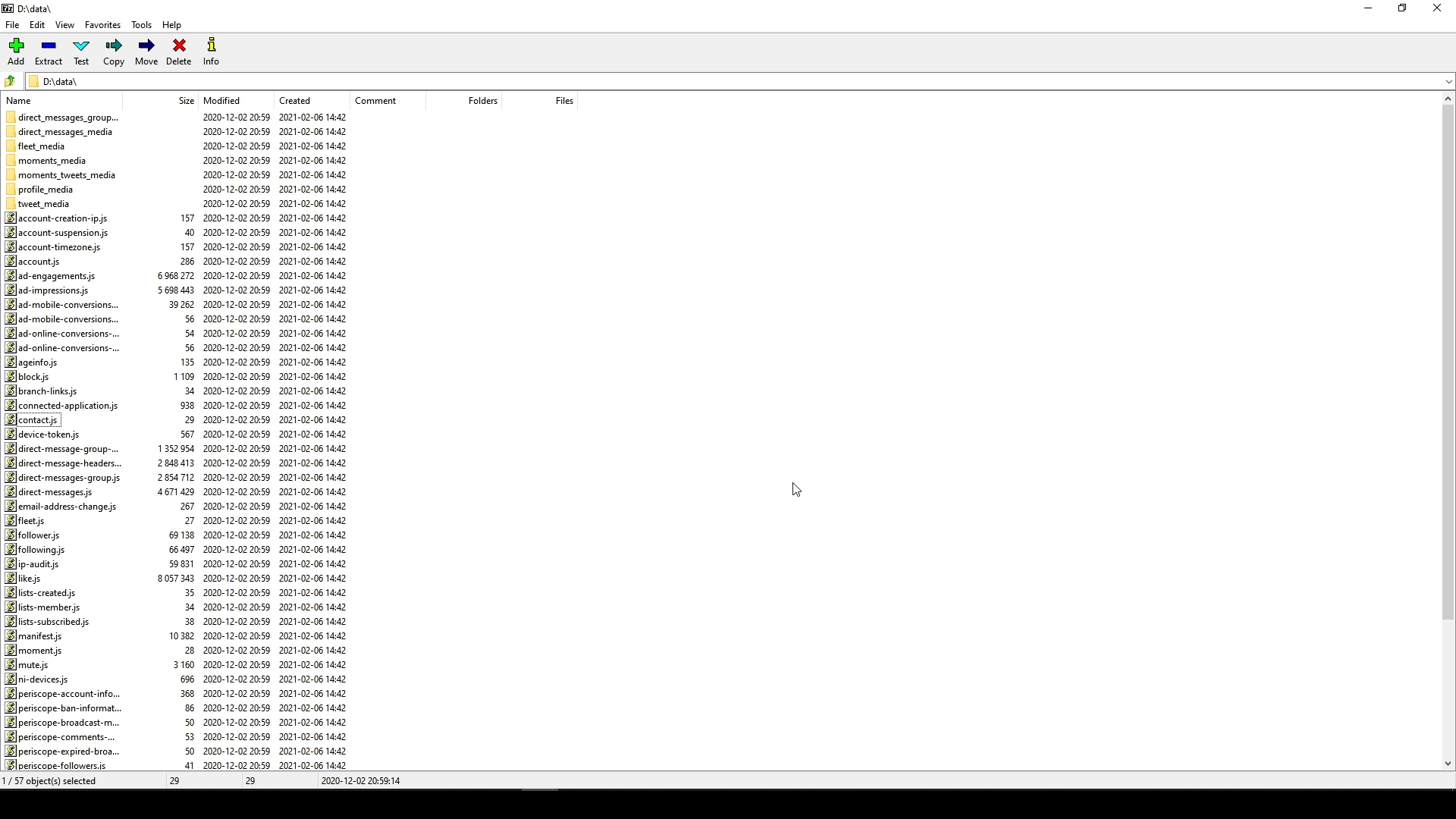  I want to click on Add, so click(20, 51).